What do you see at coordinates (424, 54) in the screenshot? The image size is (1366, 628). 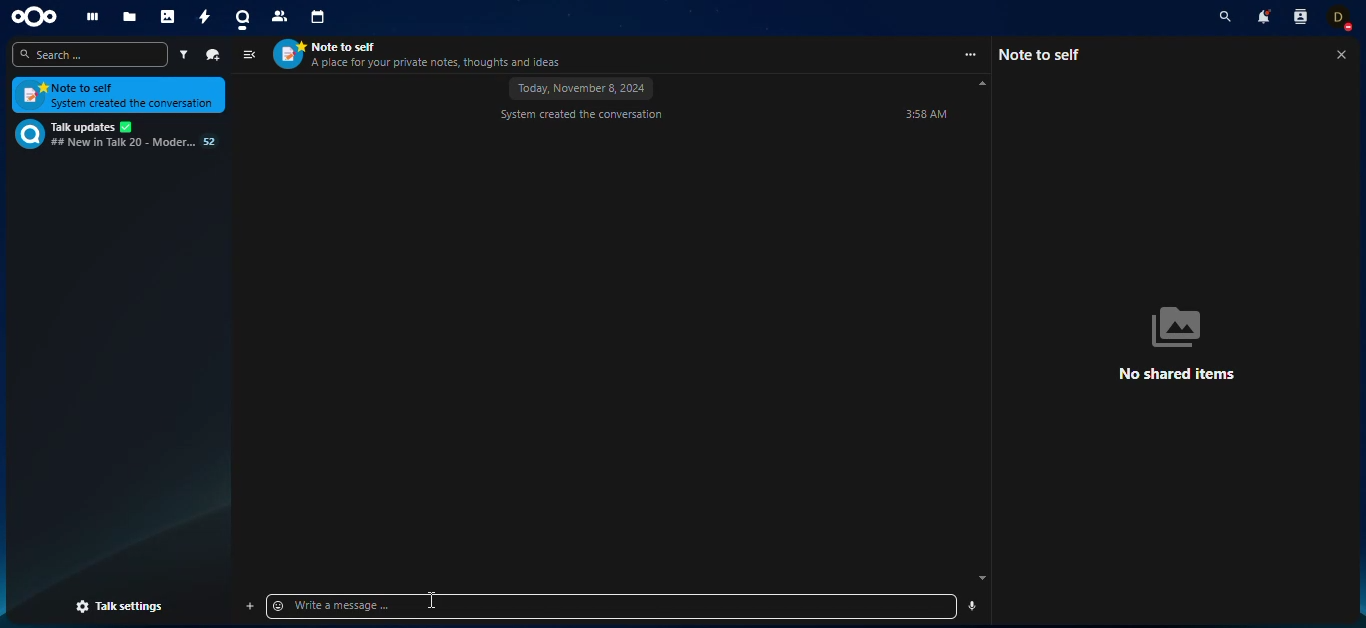 I see `contact` at bounding box center [424, 54].